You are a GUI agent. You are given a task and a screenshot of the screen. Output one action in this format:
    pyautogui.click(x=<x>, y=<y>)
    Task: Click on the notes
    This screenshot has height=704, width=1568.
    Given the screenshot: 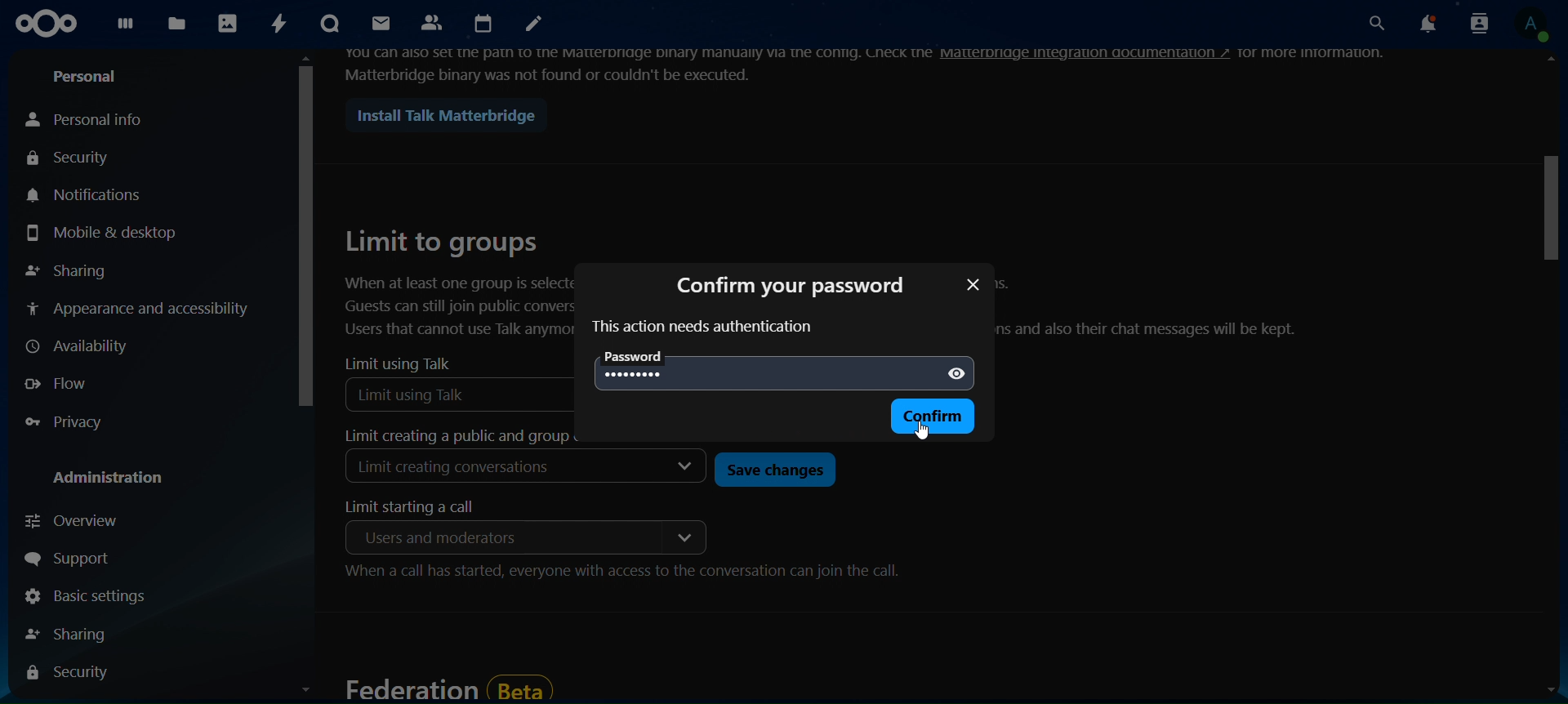 What is the action you would take?
    pyautogui.click(x=536, y=25)
    